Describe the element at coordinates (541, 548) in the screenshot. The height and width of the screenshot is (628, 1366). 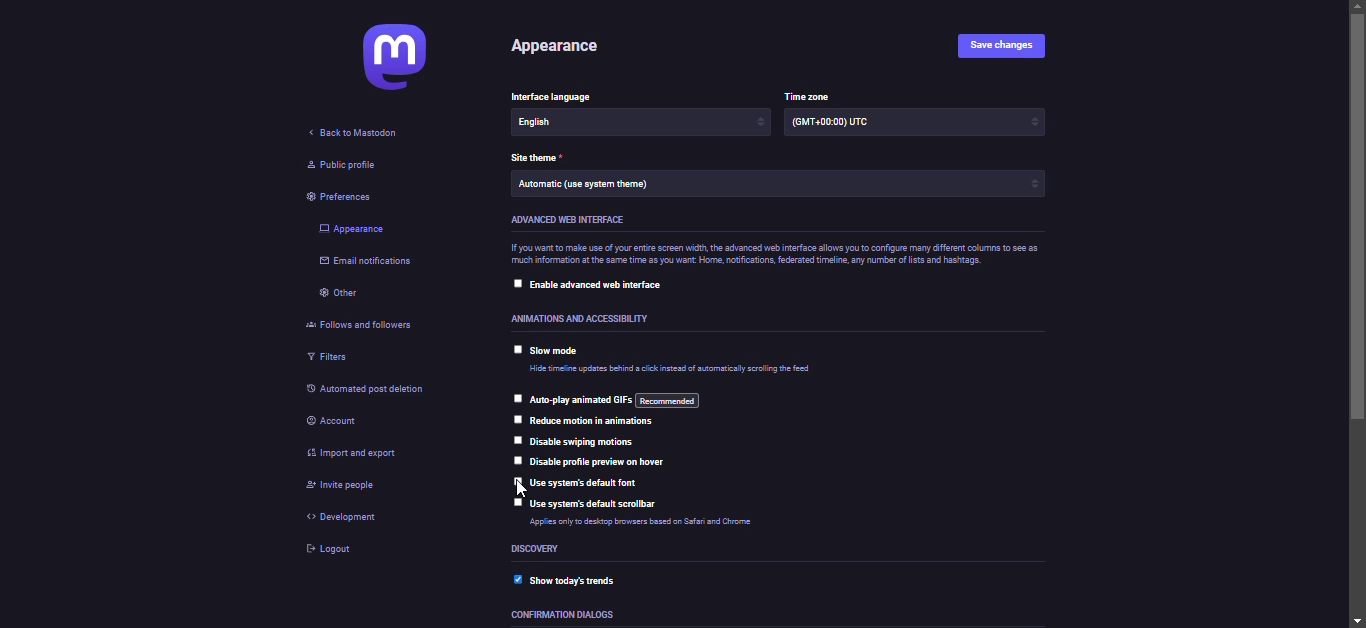
I see `discovery` at that location.